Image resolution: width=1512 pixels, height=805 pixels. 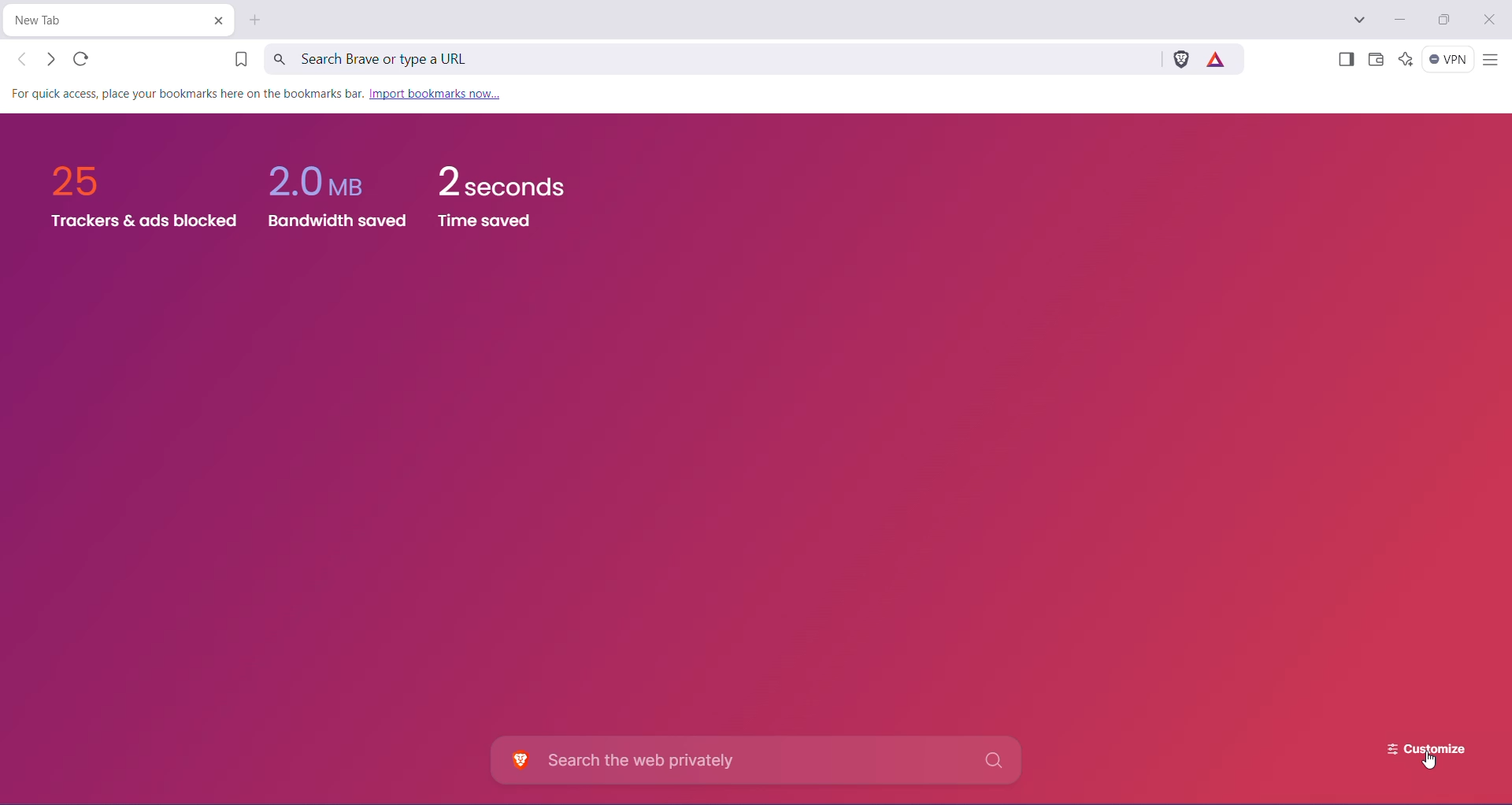 What do you see at coordinates (1344, 61) in the screenshot?
I see `Show Sidebar` at bounding box center [1344, 61].